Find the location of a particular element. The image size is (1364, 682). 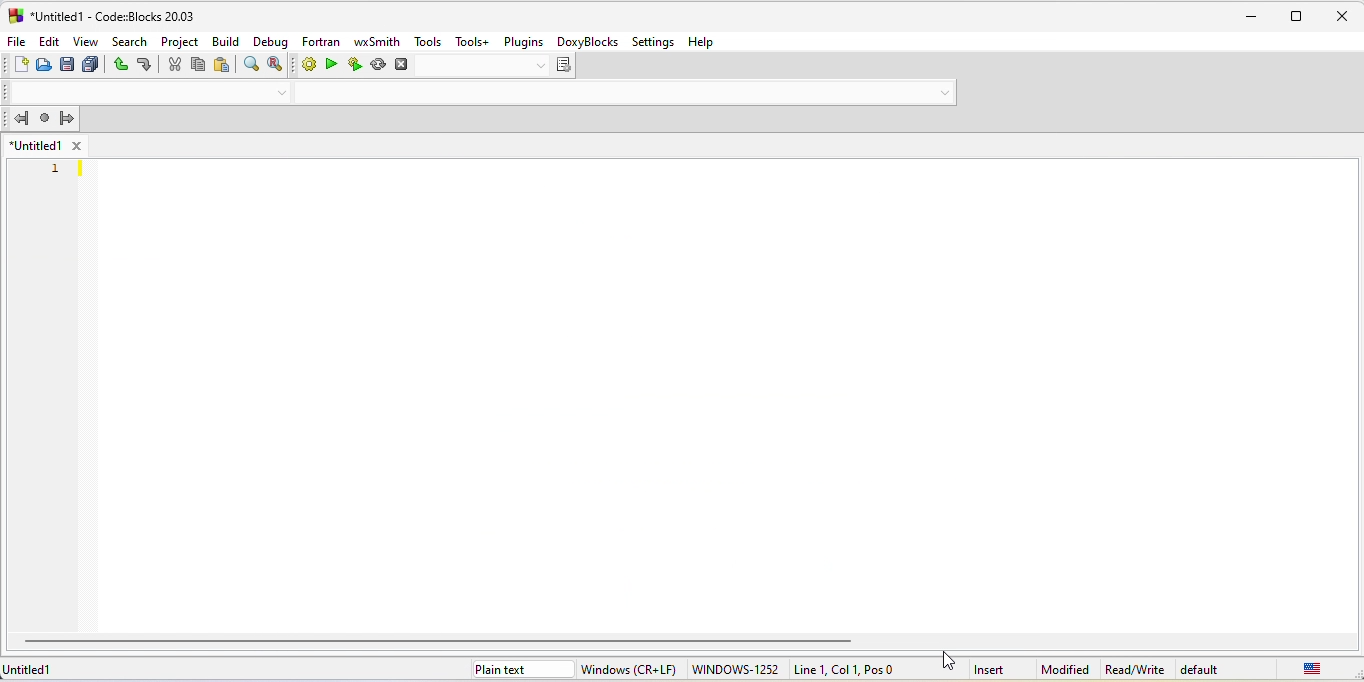

tools+ is located at coordinates (468, 40).